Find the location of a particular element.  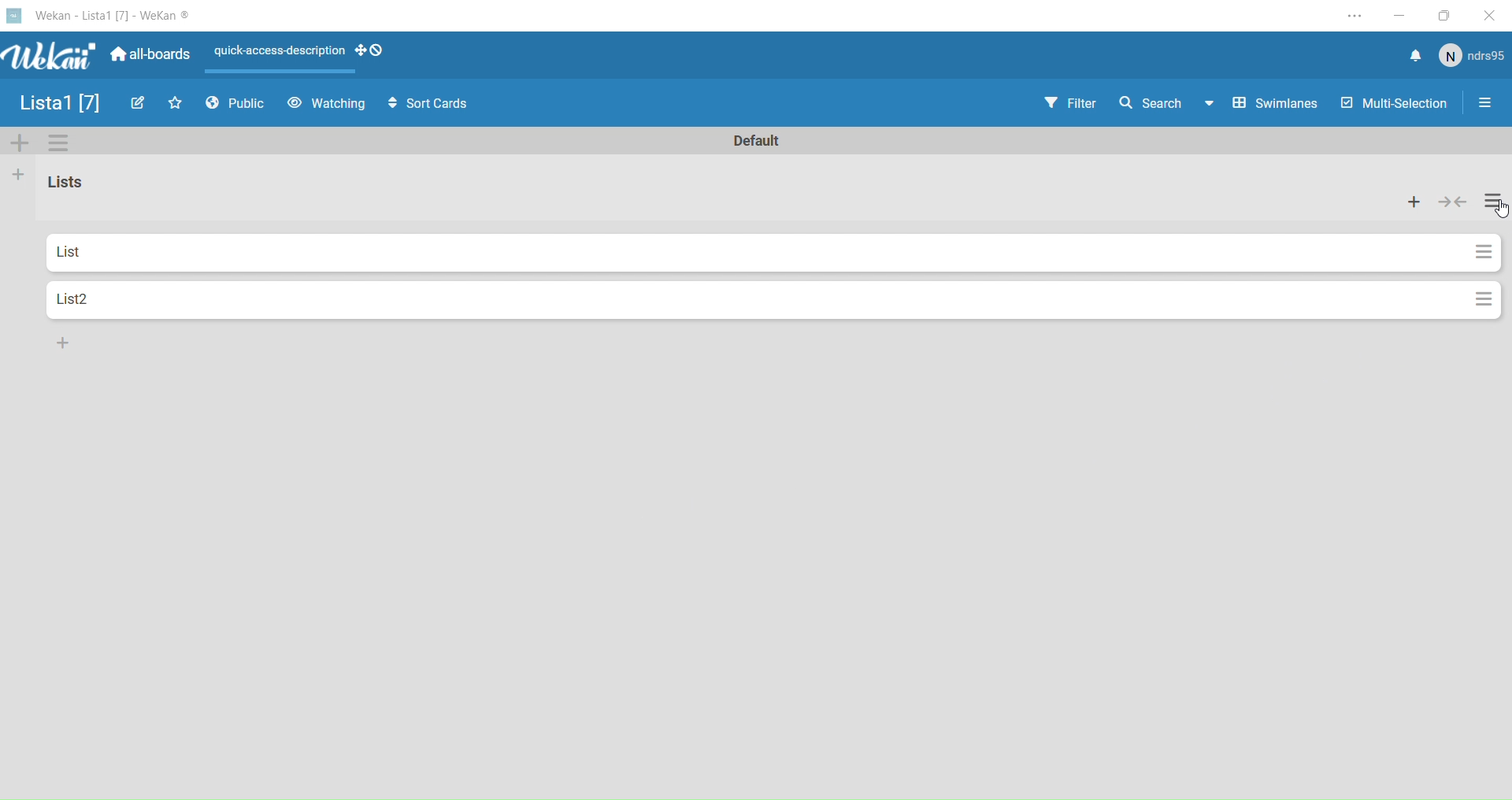

cursor is located at coordinates (1499, 211).